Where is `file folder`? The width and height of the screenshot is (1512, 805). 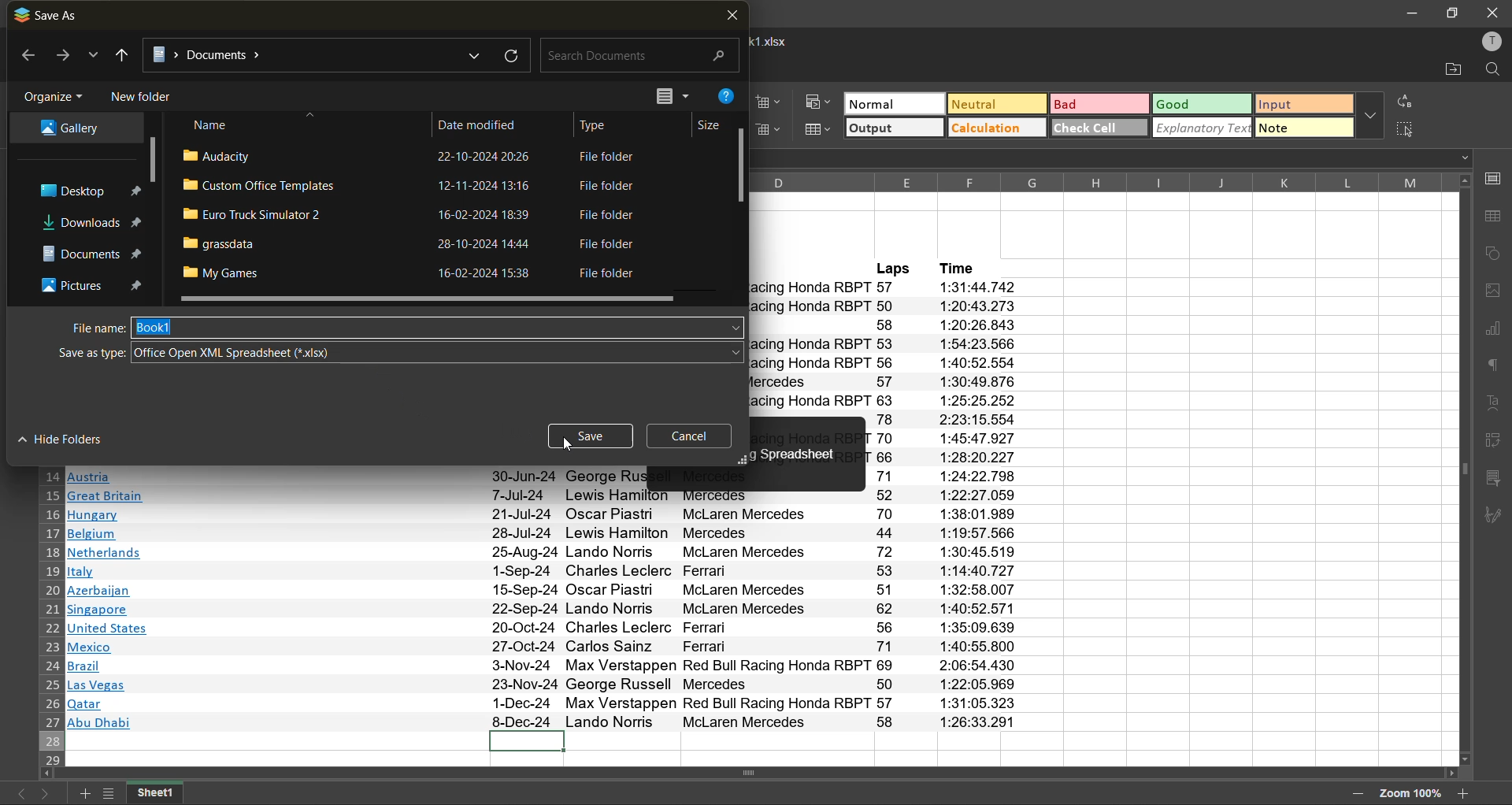 file folder is located at coordinates (615, 187).